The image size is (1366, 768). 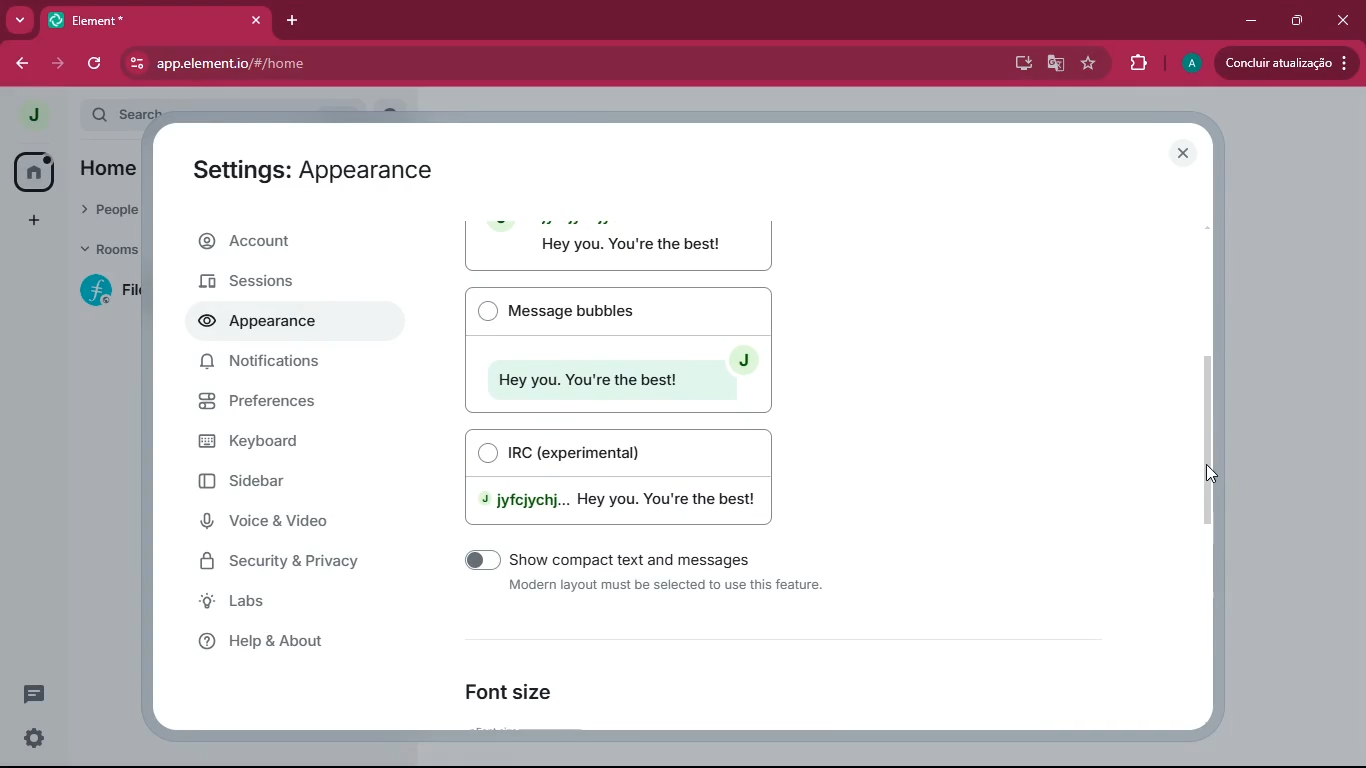 I want to click on search, so click(x=127, y=114).